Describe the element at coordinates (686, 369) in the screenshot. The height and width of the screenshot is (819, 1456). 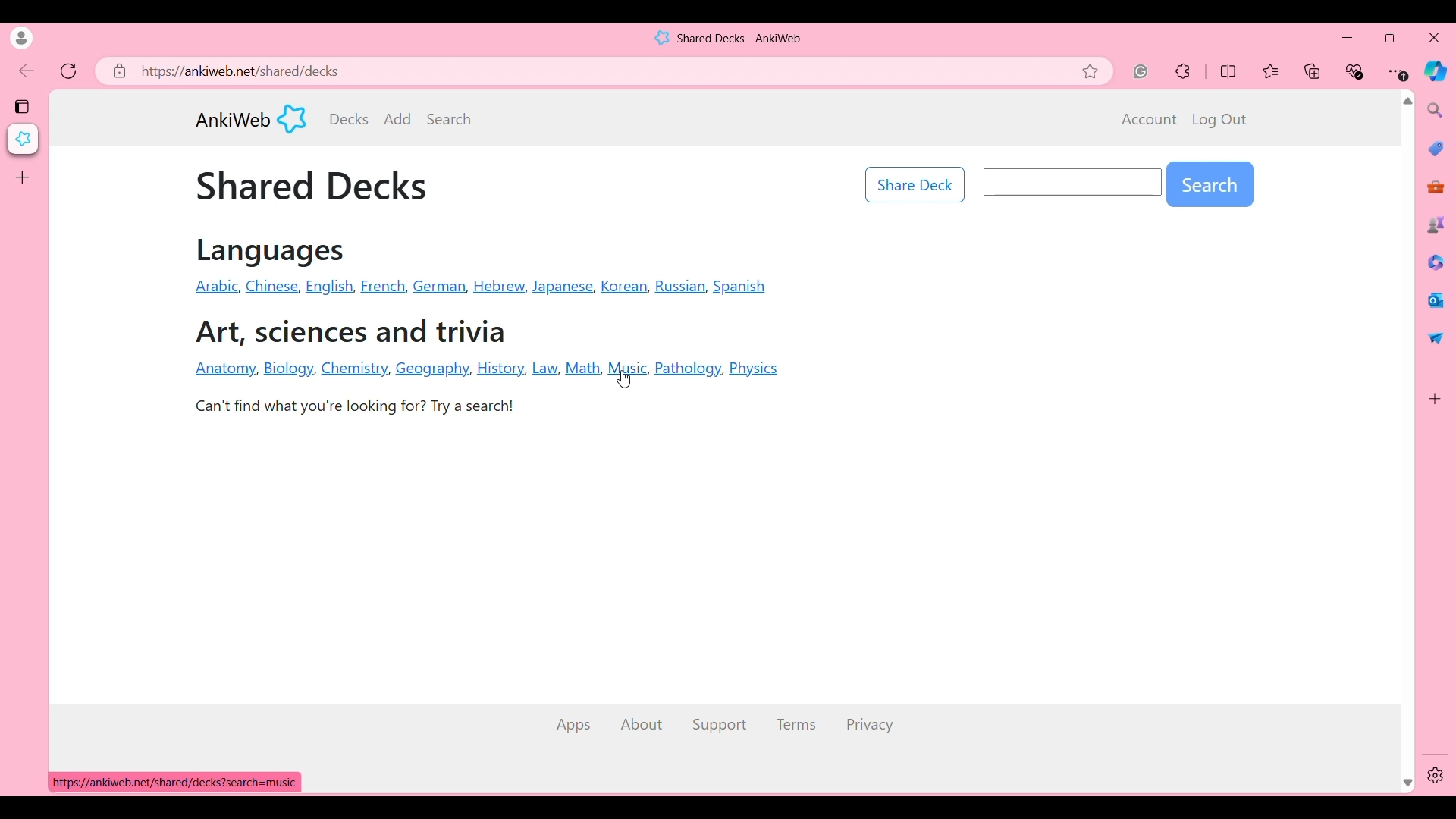
I see `Pathology,` at that location.